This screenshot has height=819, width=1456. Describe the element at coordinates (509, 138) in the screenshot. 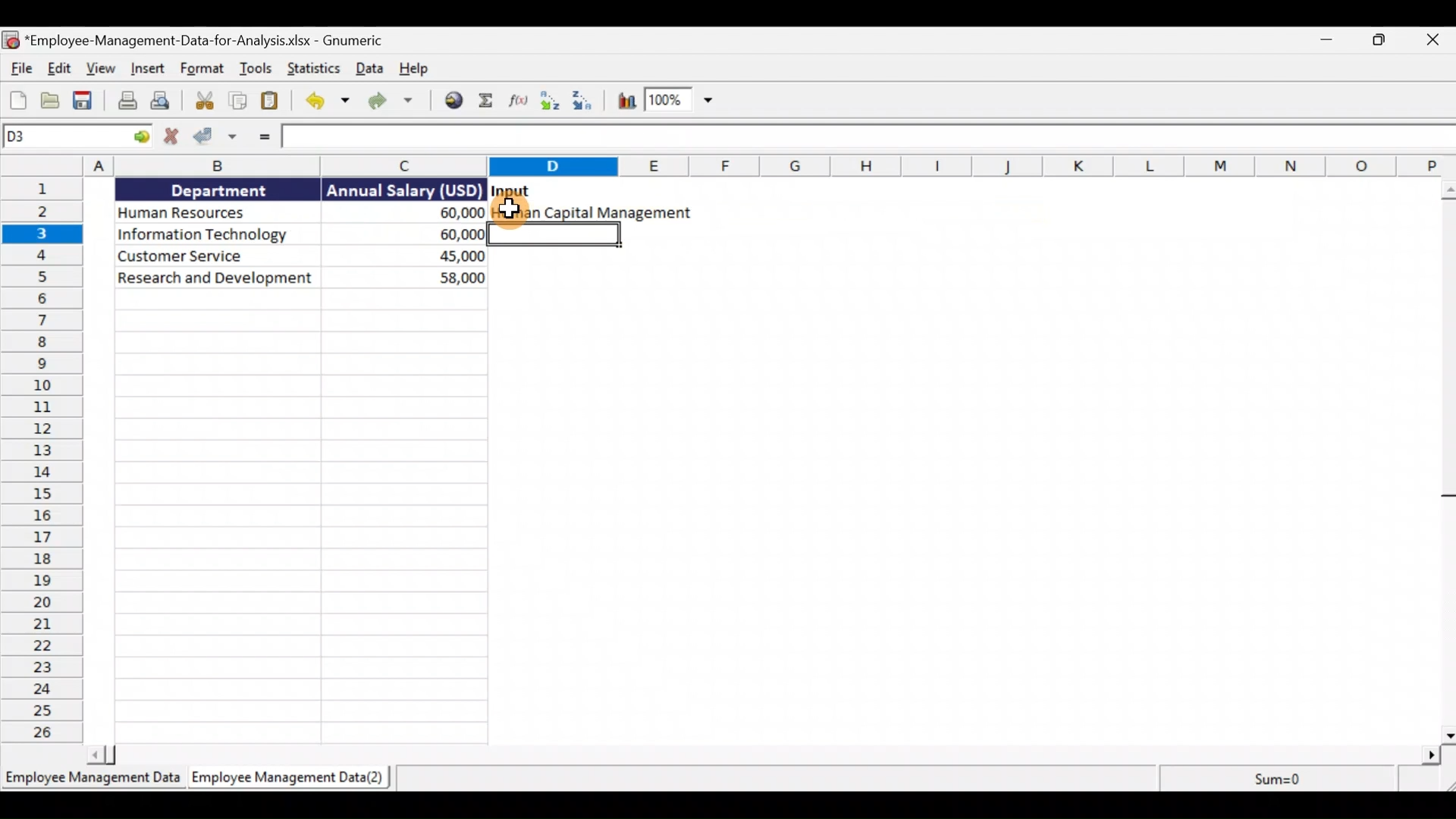

I see `=SUBSTITUTE("Human Resources","Resources","Capital Management")` at that location.